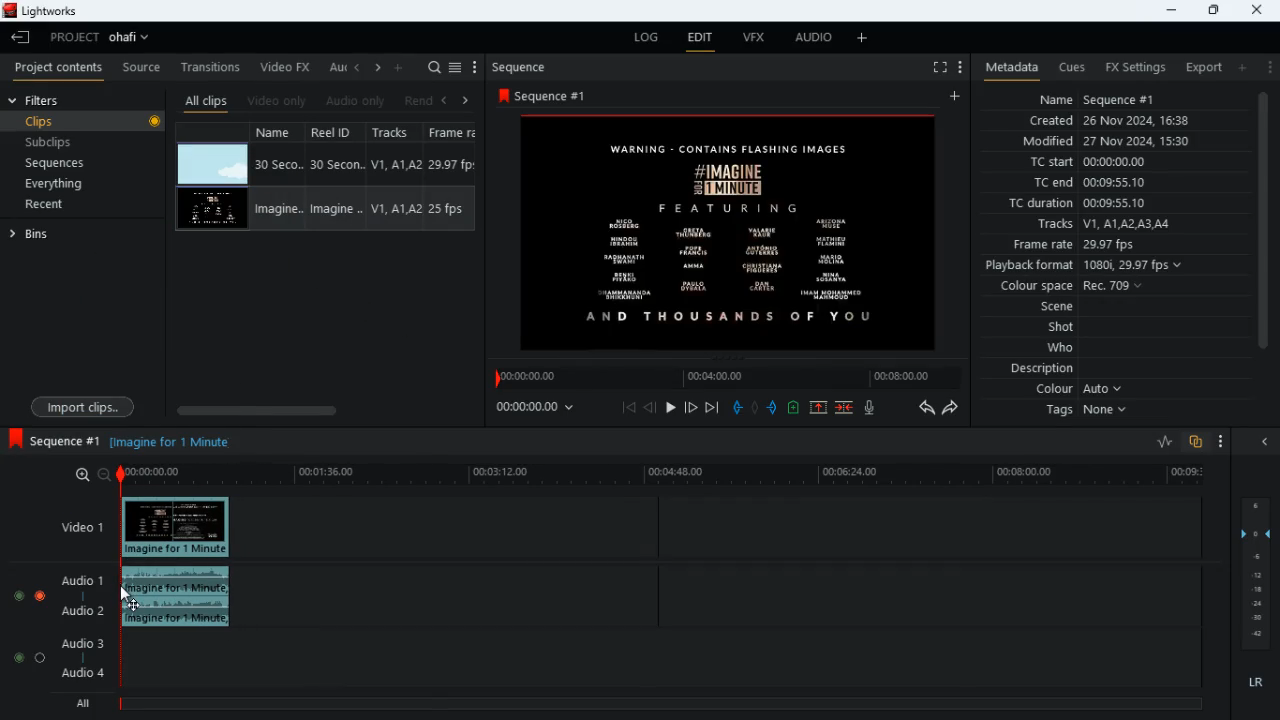 The image size is (1280, 720). What do you see at coordinates (14, 657) in the screenshot?
I see `toggle` at bounding box center [14, 657].